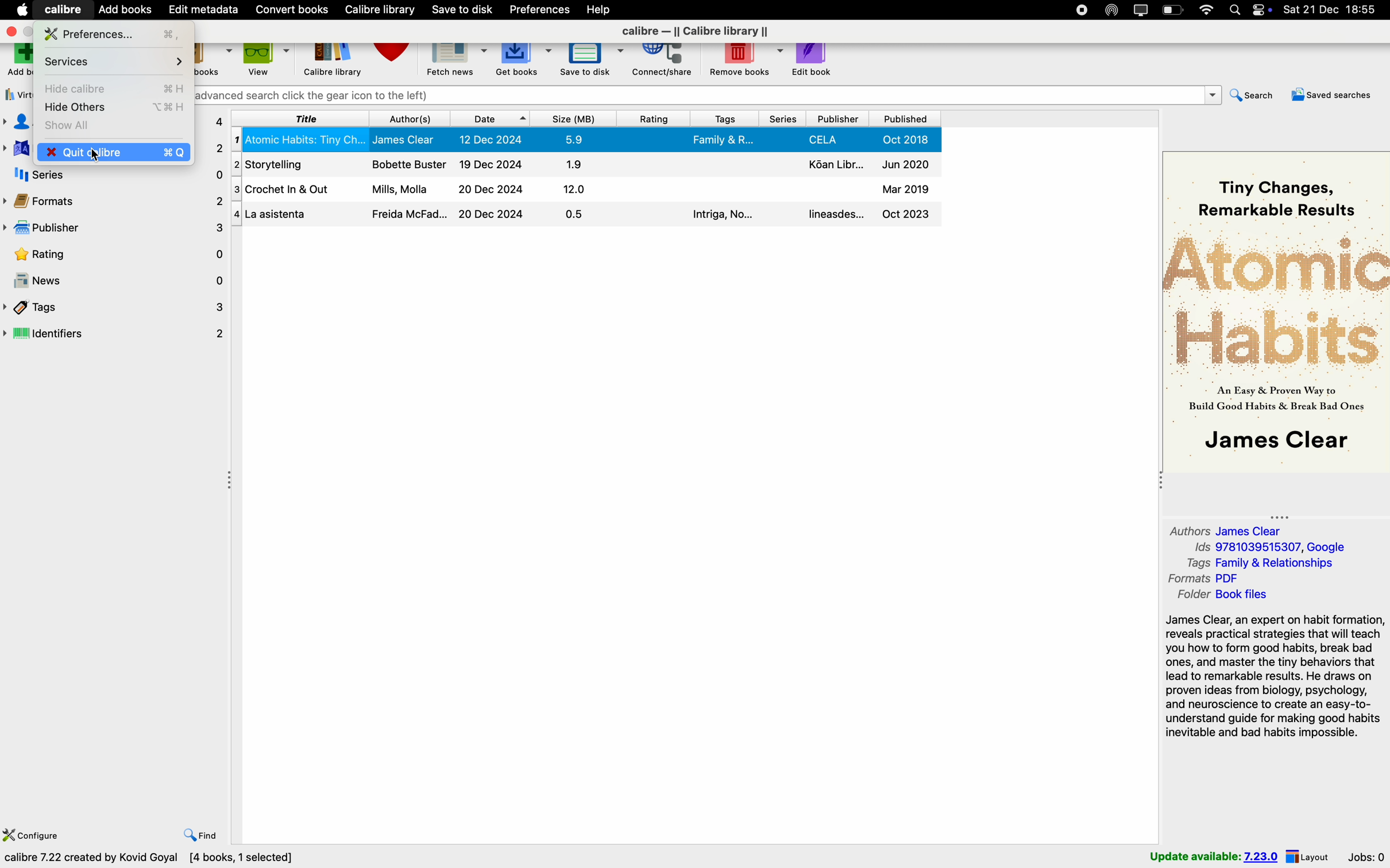  What do you see at coordinates (697, 32) in the screenshot?
I see `Calibre - || Calibre library ||` at bounding box center [697, 32].